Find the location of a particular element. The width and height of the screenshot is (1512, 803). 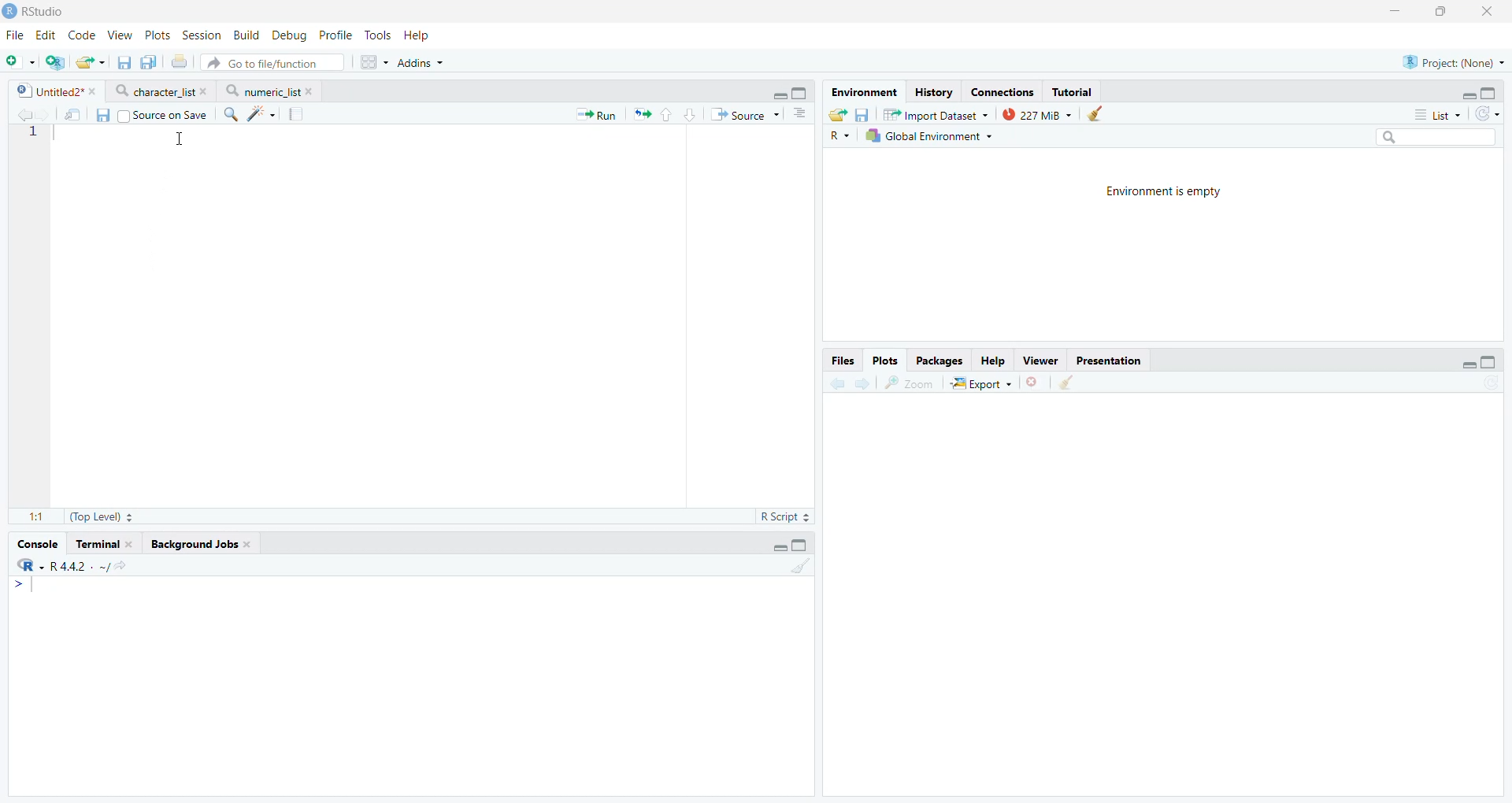

Full Height is located at coordinates (801, 544).